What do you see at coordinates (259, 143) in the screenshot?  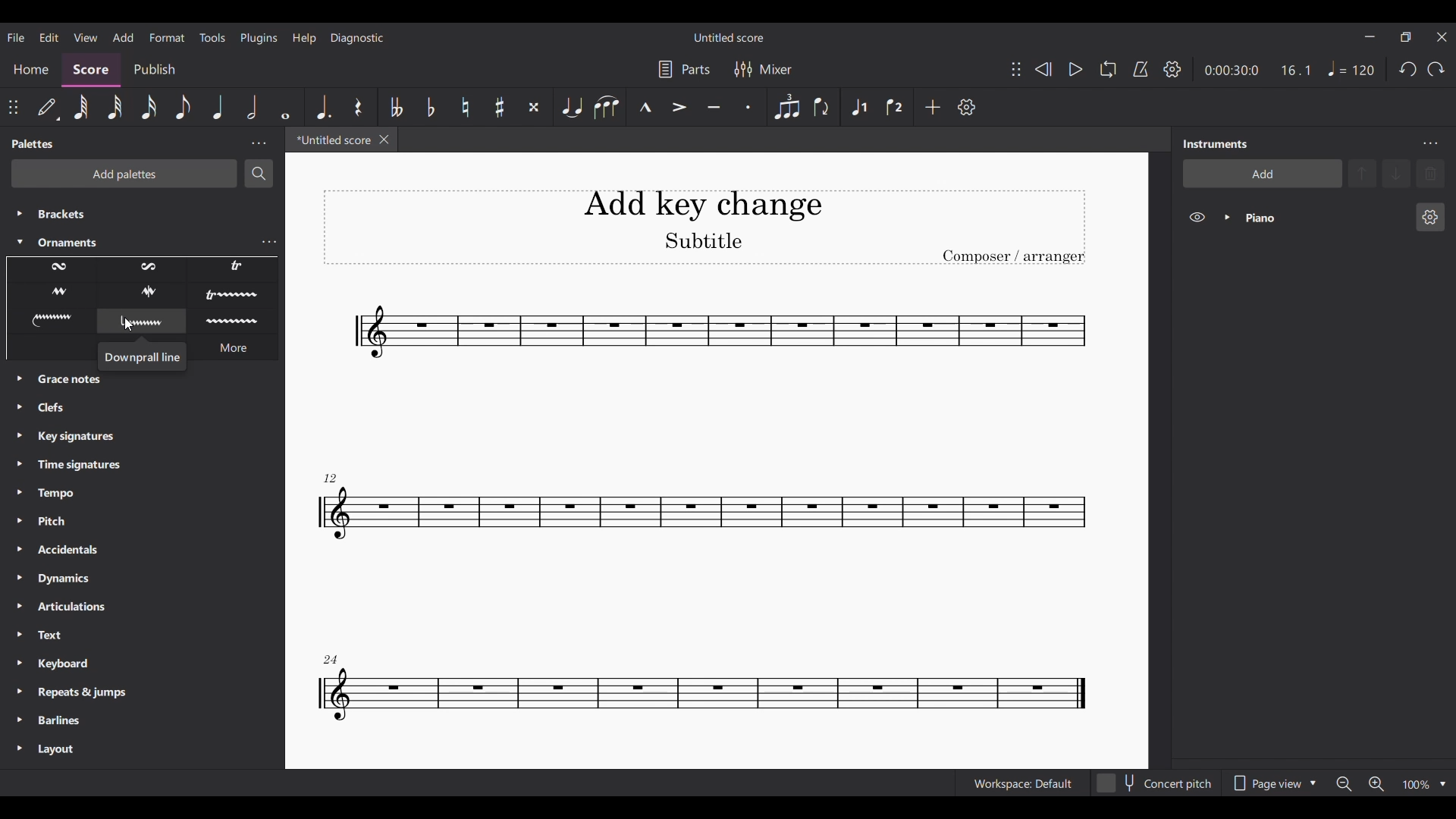 I see `Palette settings` at bounding box center [259, 143].